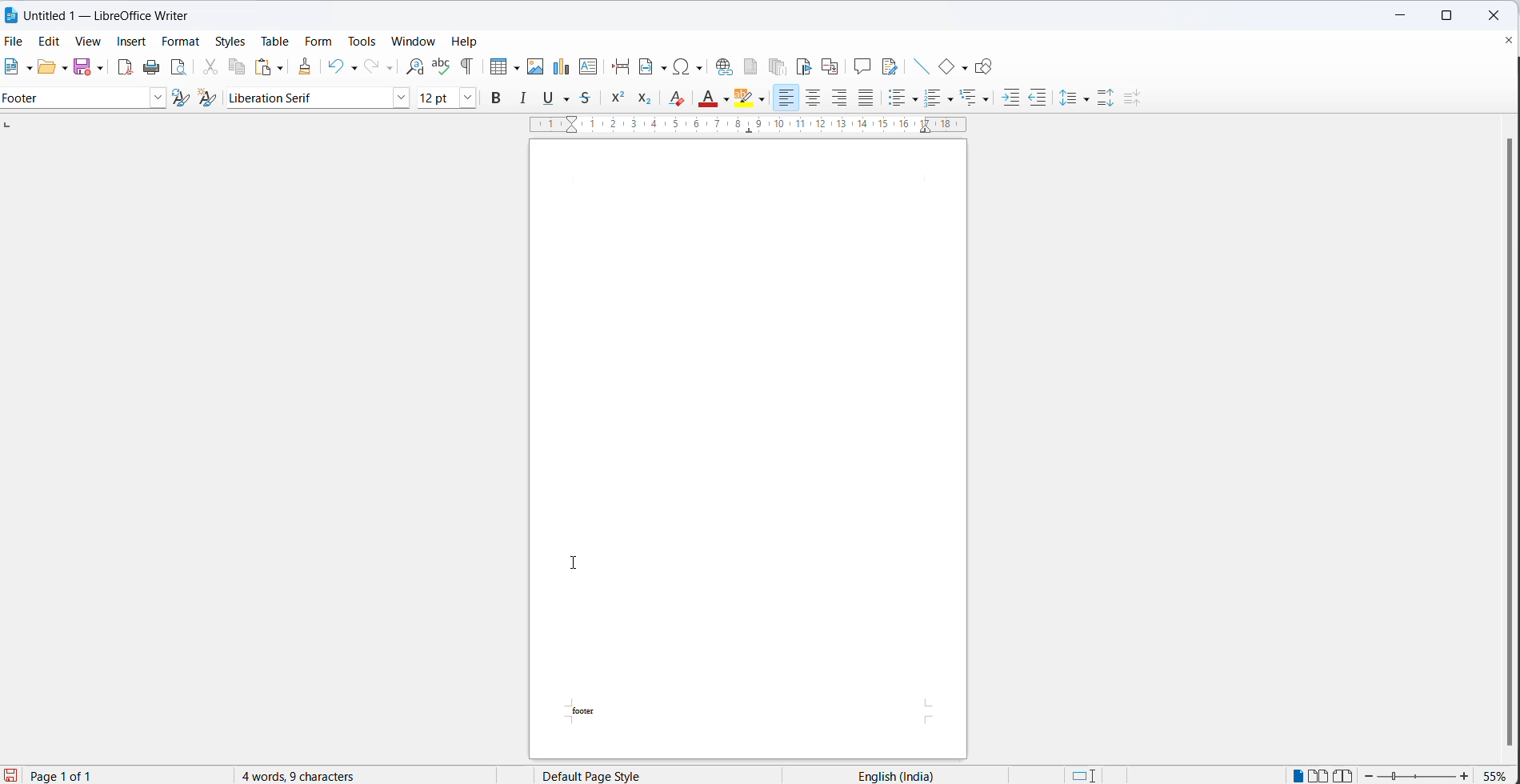 The image size is (1520, 784). Describe the element at coordinates (281, 69) in the screenshot. I see `paste options ` at that location.